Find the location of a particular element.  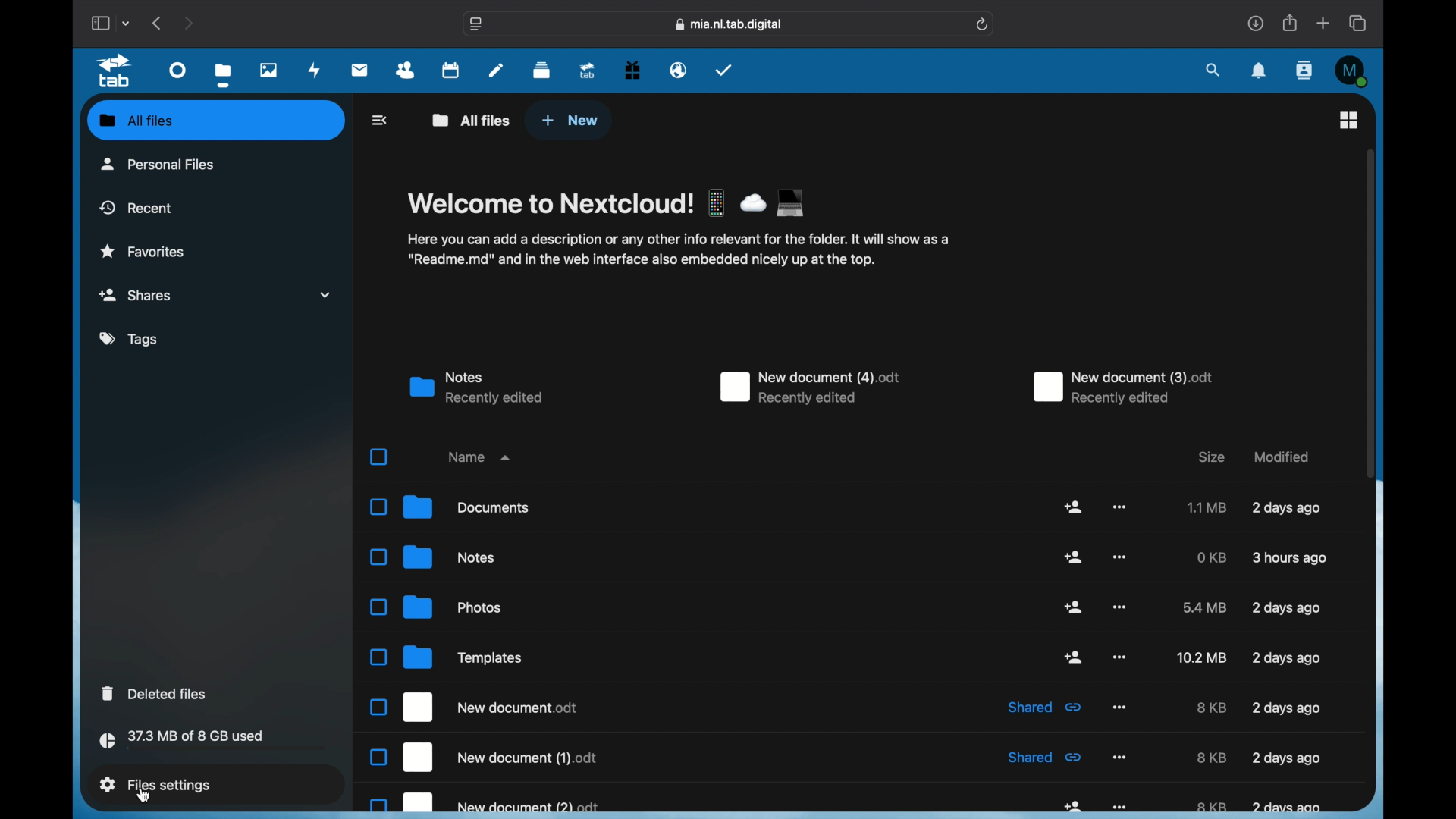

modified is located at coordinates (1287, 708).